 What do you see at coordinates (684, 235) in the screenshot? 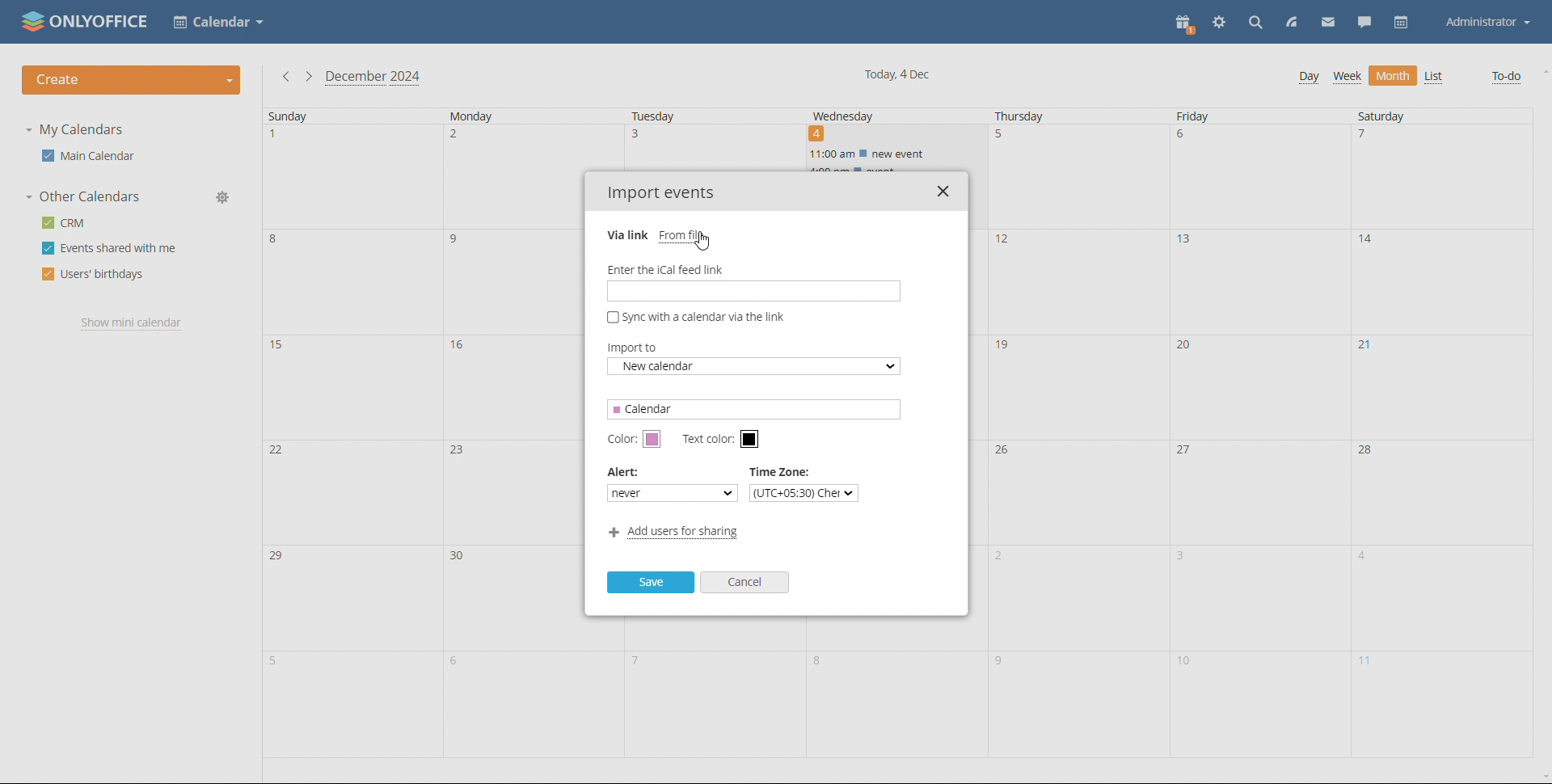
I see `from file` at bounding box center [684, 235].